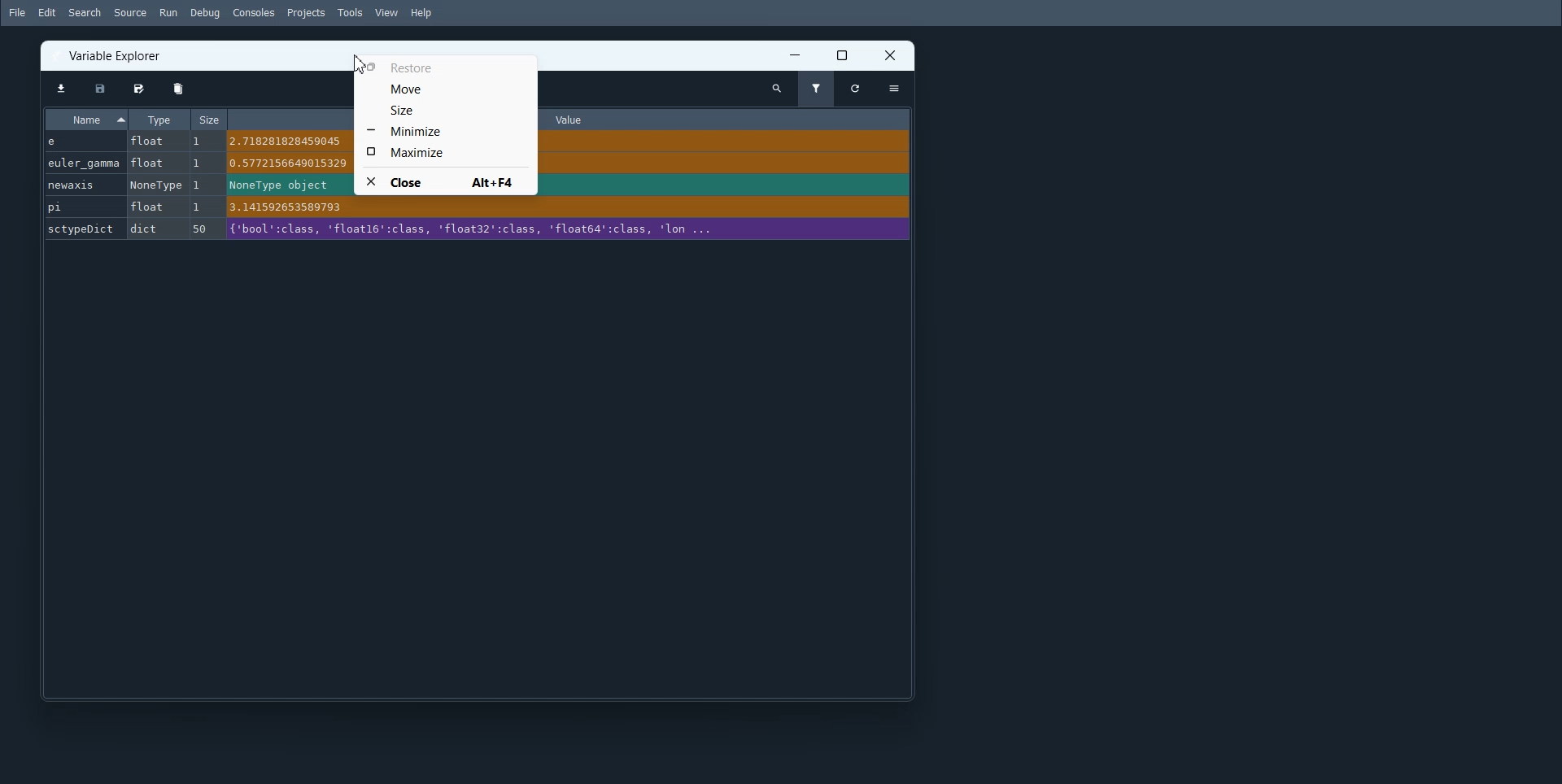 The height and width of the screenshot is (784, 1562). What do you see at coordinates (168, 13) in the screenshot?
I see `Run` at bounding box center [168, 13].